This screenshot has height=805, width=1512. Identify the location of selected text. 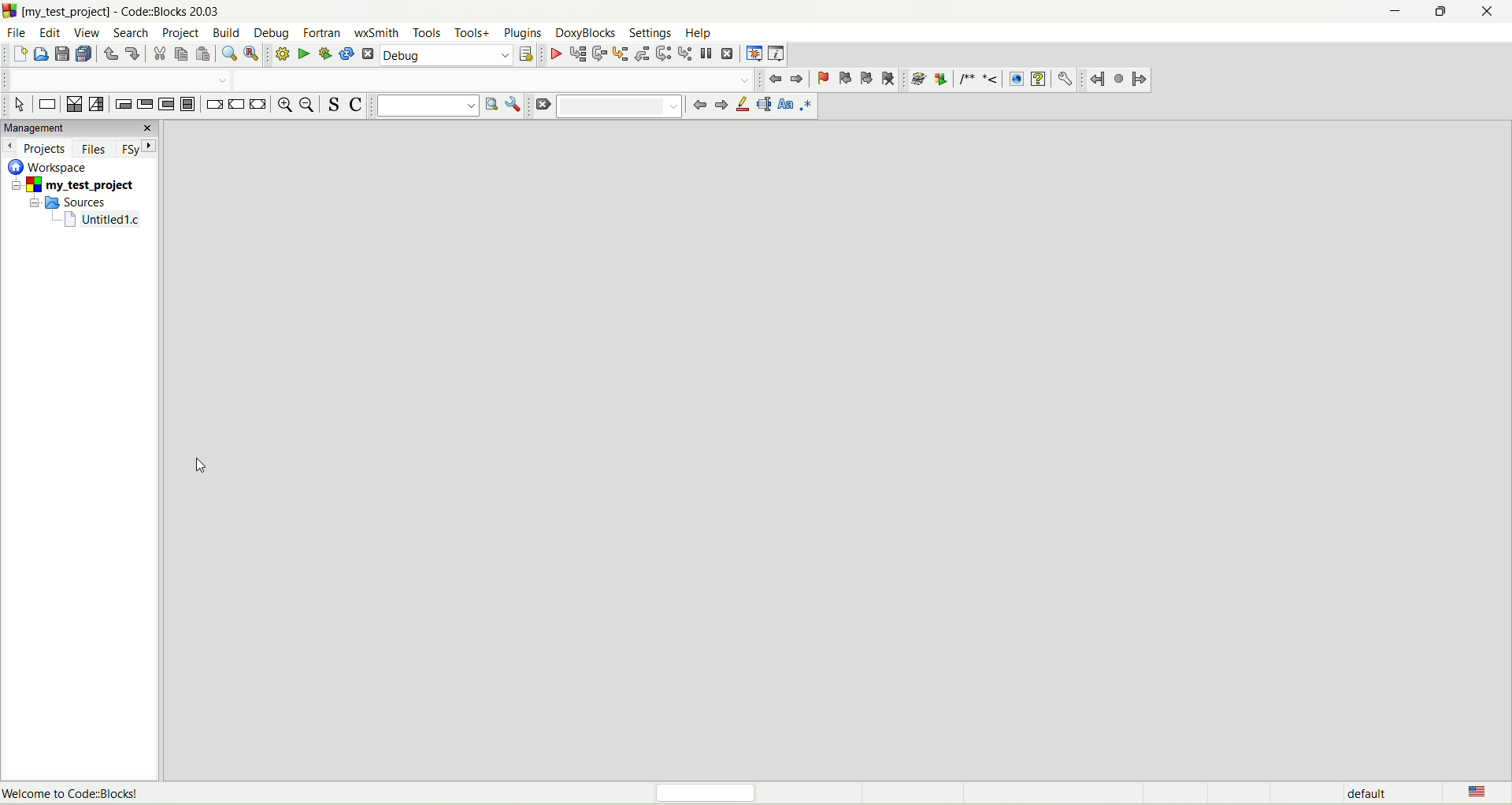
(766, 106).